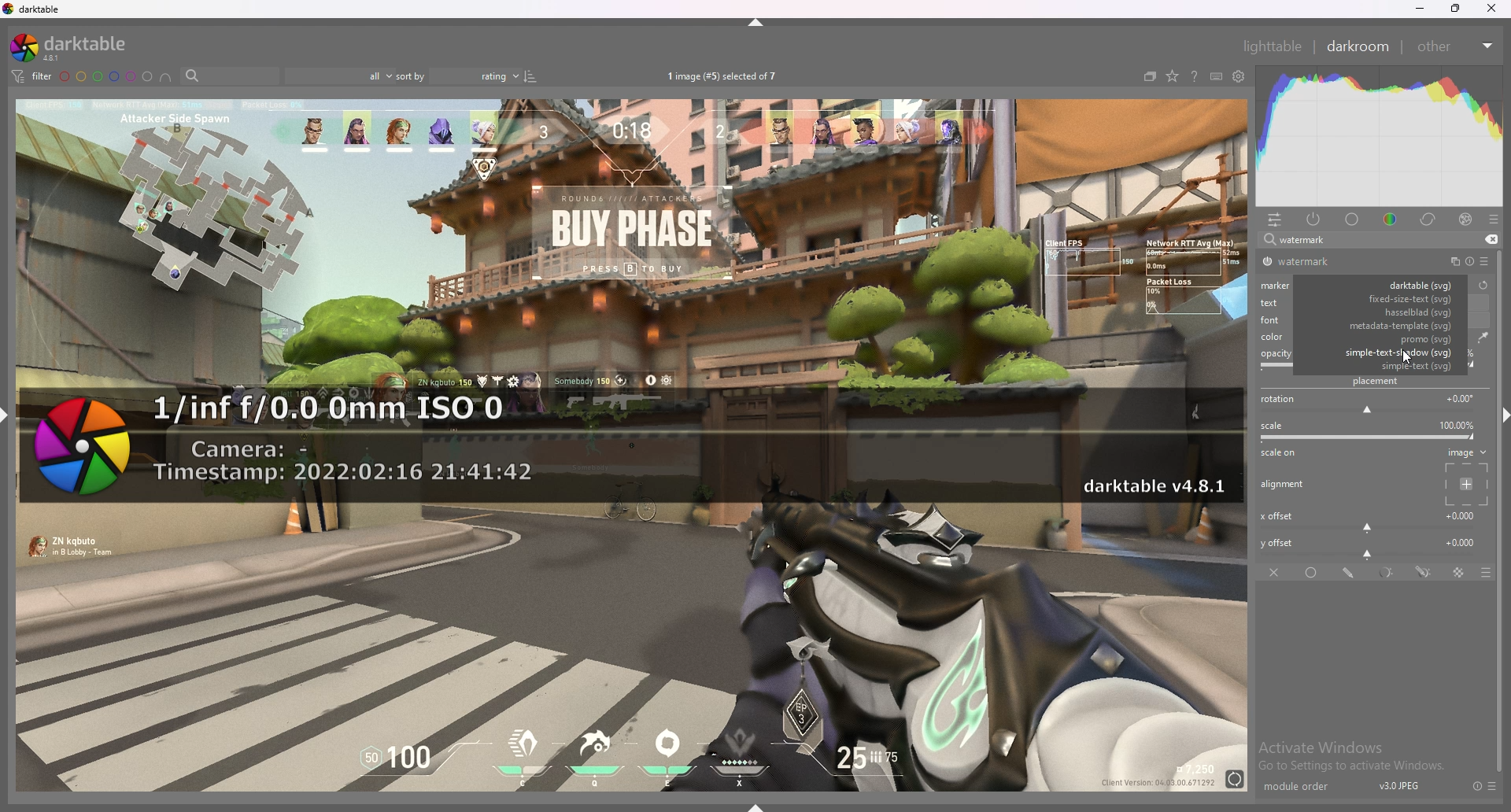 The image size is (1511, 812). I want to click on parametric mask, so click(1388, 573).